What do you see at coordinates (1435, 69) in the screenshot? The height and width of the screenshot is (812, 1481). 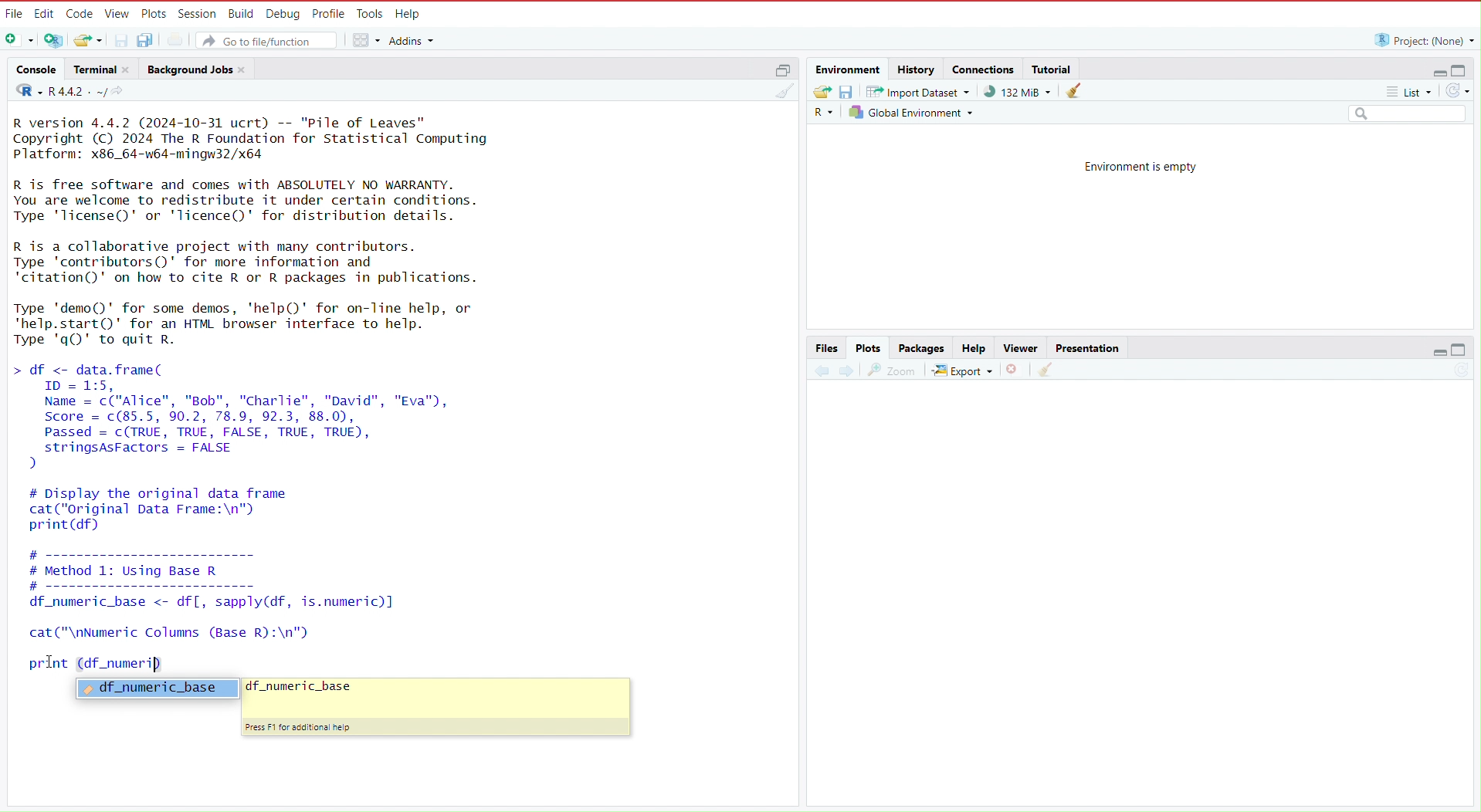 I see `minimize` at bounding box center [1435, 69].